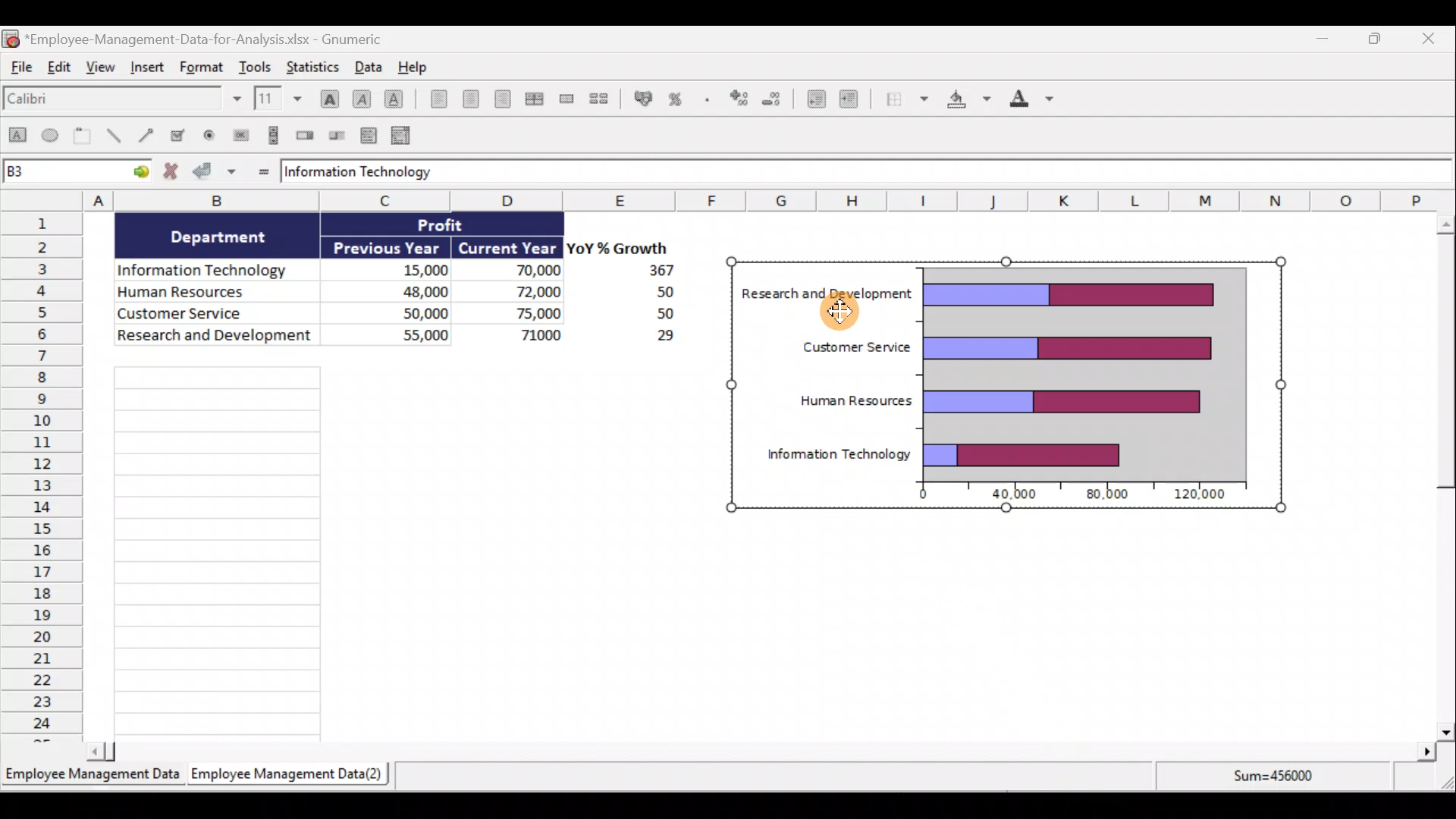 The image size is (1456, 819). Describe the element at coordinates (1277, 780) in the screenshot. I see `Sum=456000` at that location.